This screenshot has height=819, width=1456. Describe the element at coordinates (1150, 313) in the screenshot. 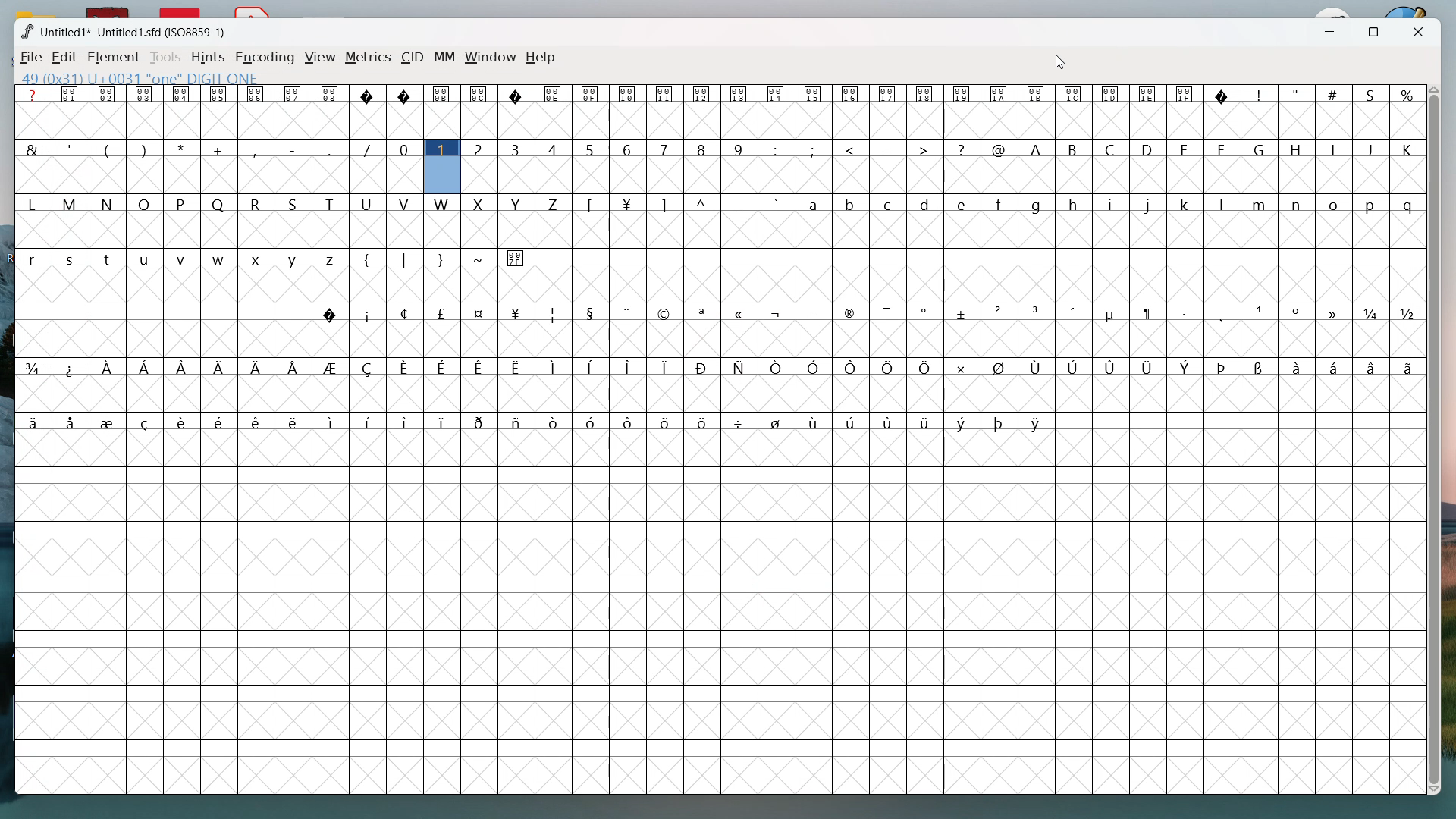

I see `symbol` at that location.